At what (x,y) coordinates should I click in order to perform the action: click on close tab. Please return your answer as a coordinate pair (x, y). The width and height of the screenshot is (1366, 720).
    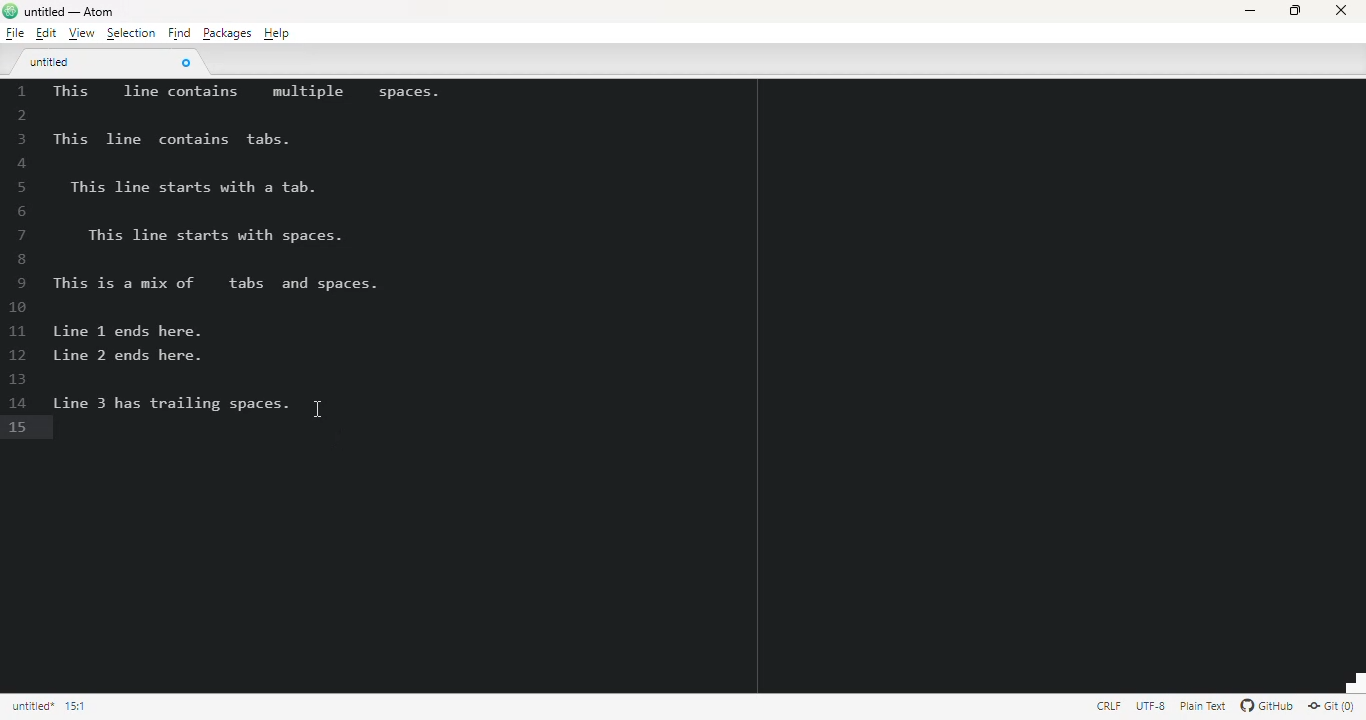
    Looking at the image, I should click on (185, 62).